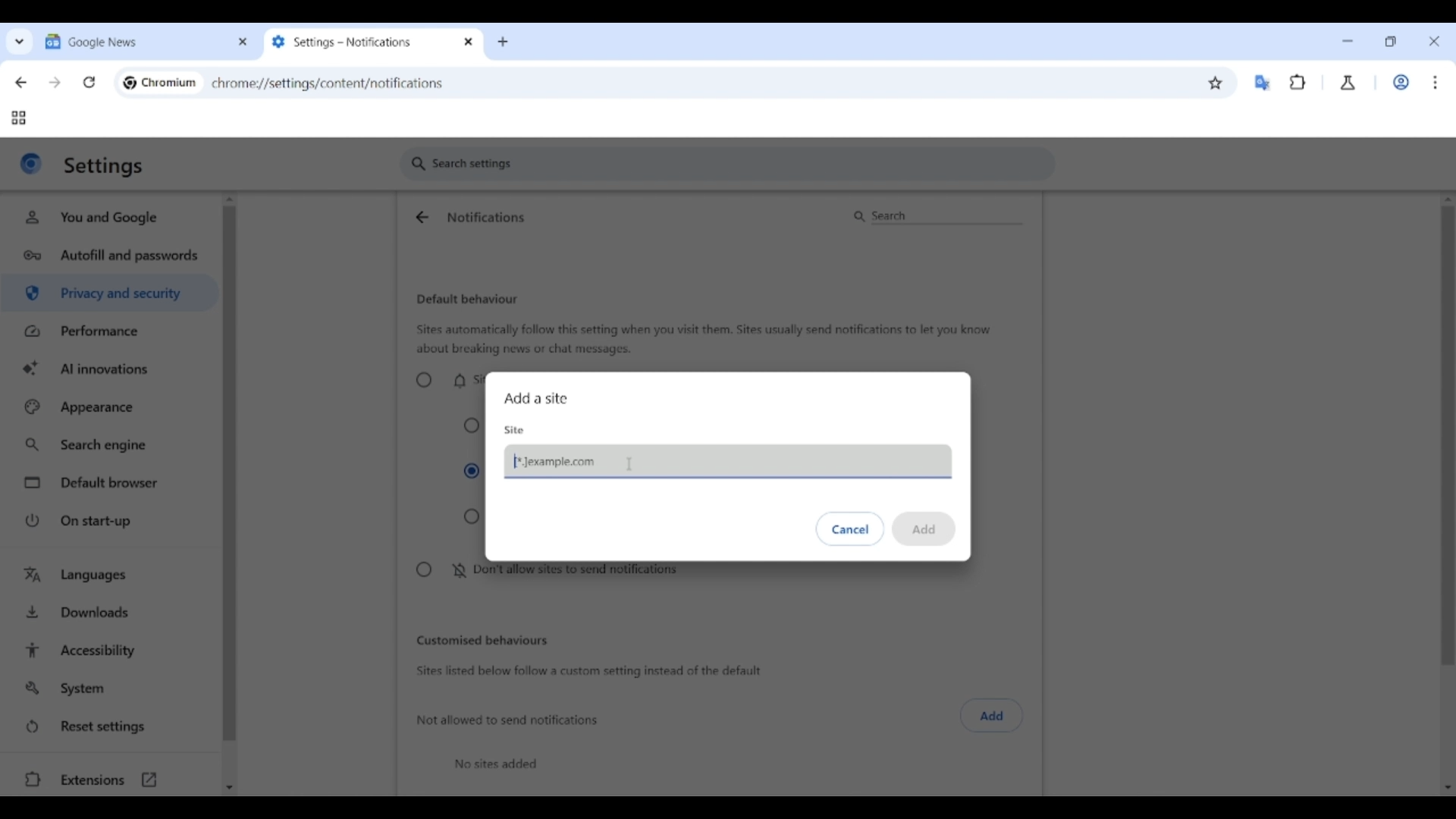 This screenshot has width=1456, height=819. I want to click on Quick slide to top, so click(1448, 199).